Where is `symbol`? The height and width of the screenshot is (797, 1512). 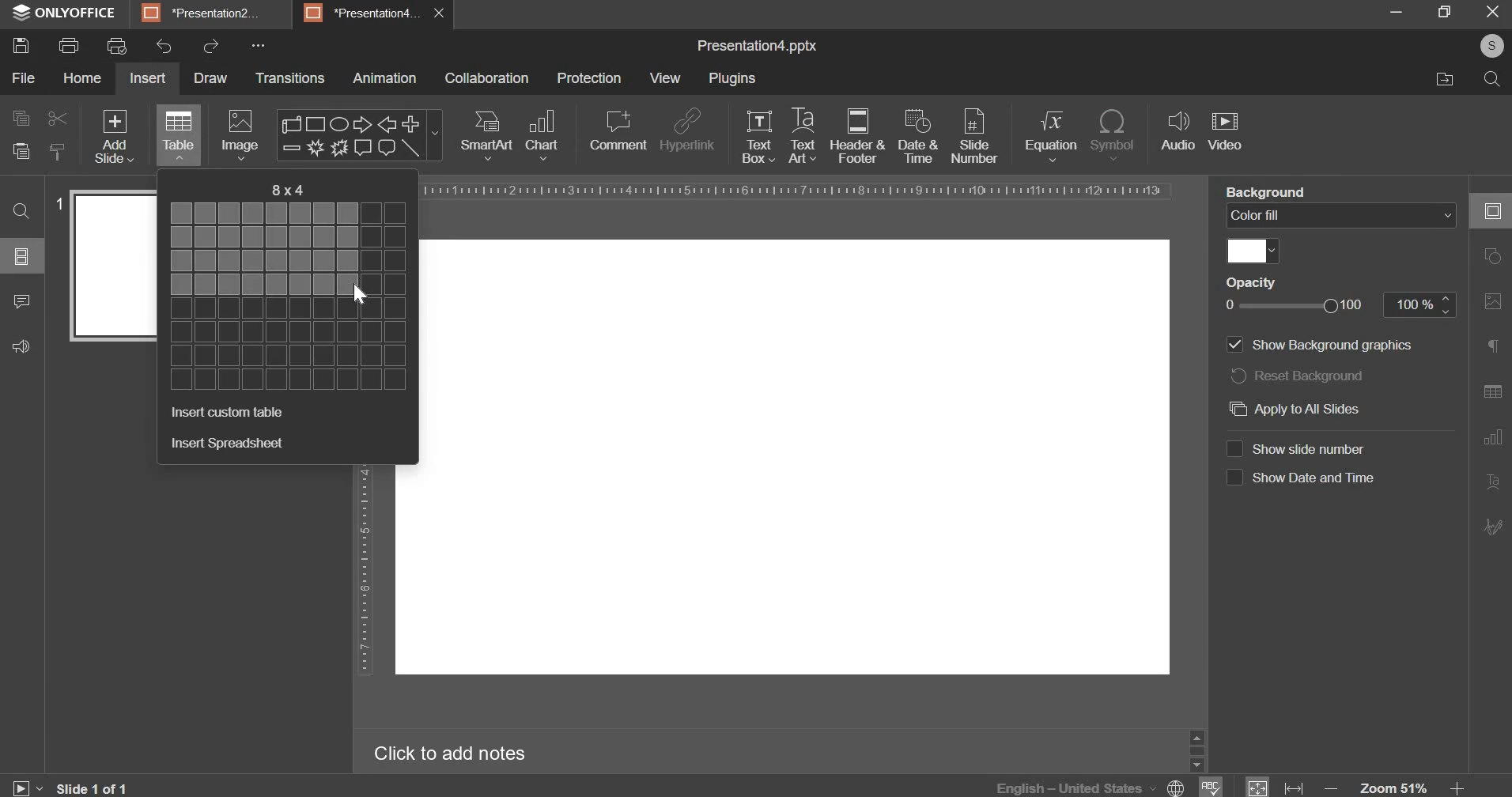
symbol is located at coordinates (1117, 135).